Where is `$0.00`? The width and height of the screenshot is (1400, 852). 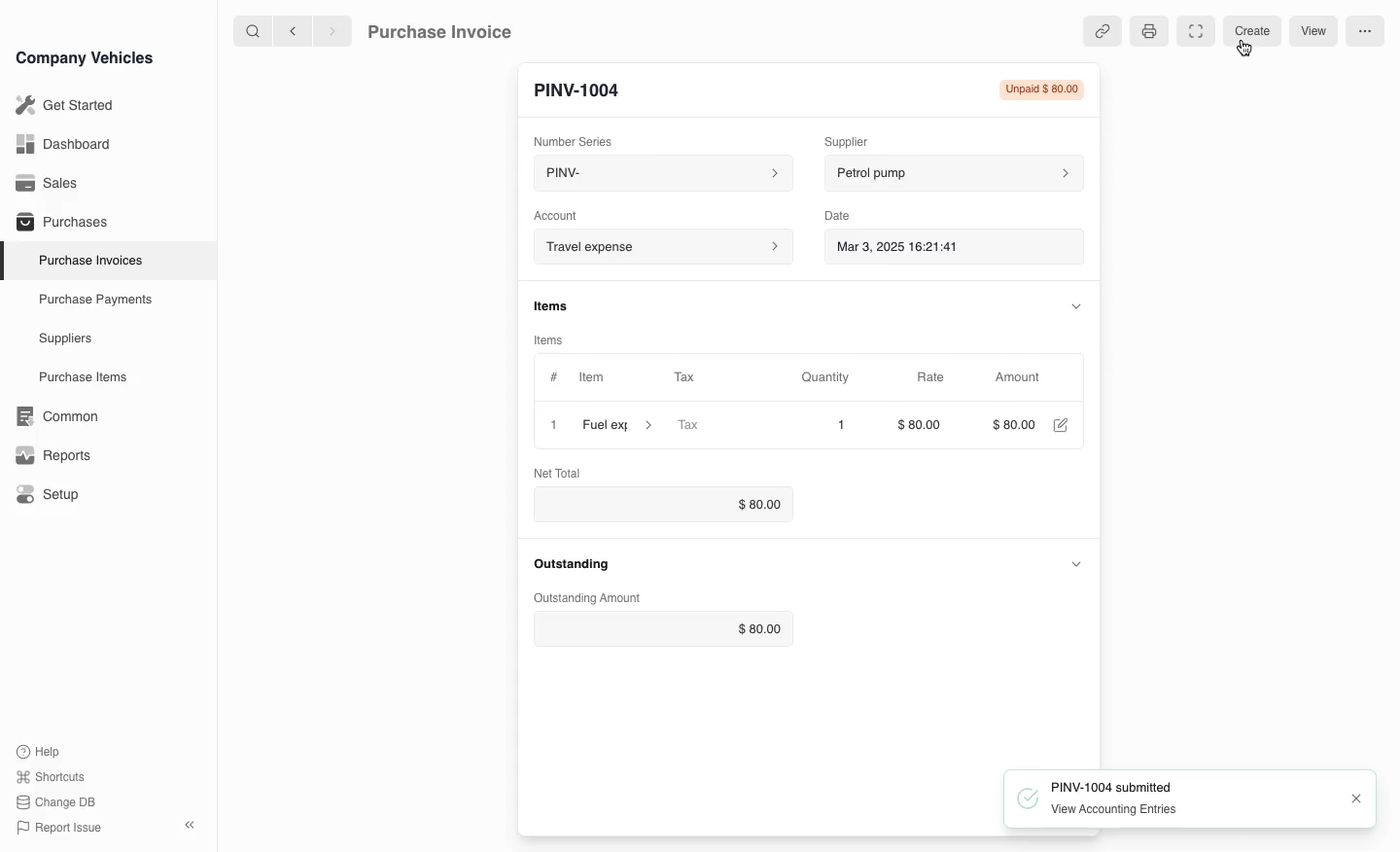 $0.00 is located at coordinates (663, 505).